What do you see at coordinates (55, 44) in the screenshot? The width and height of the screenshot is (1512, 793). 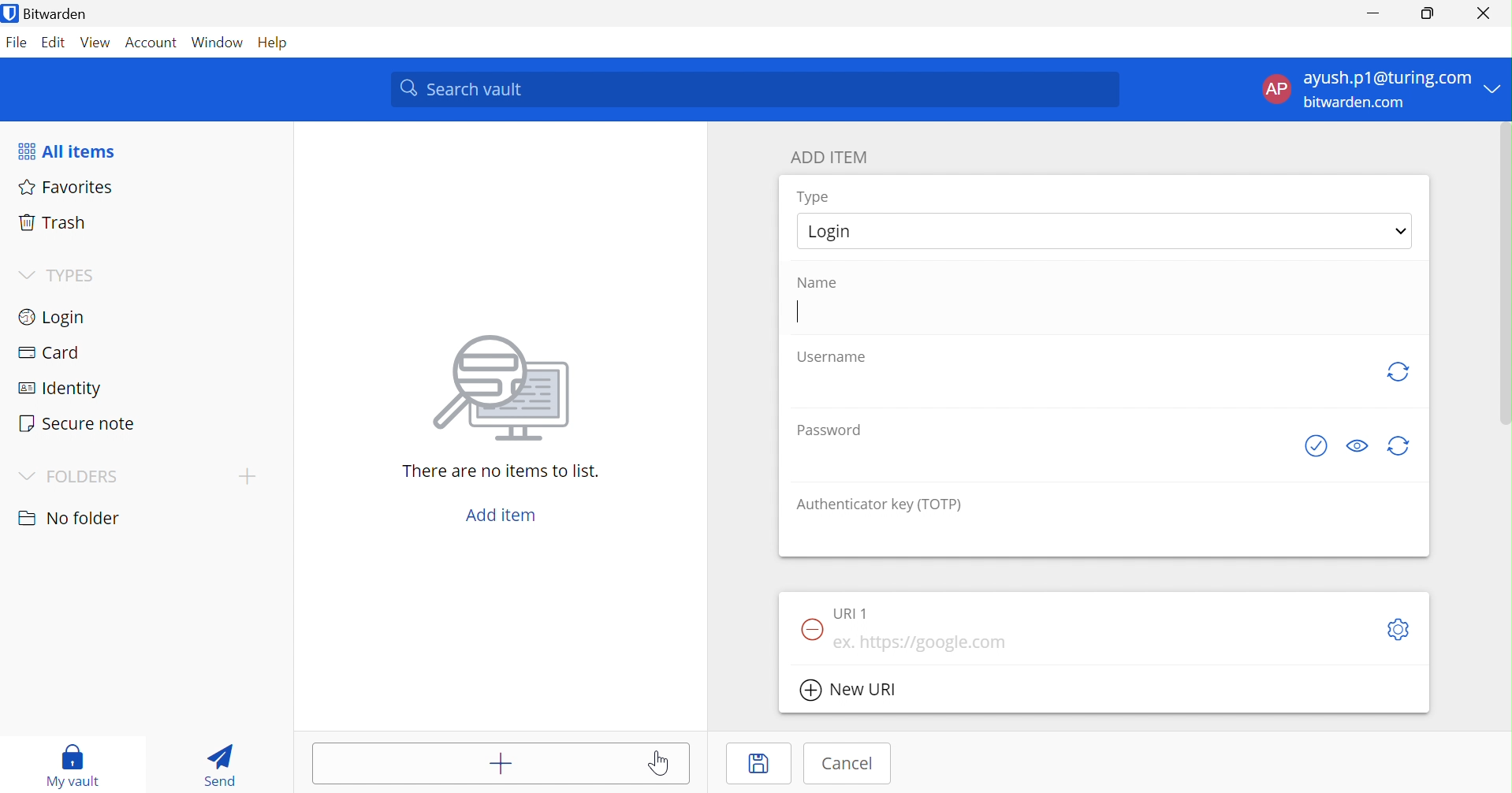 I see `Edit` at bounding box center [55, 44].